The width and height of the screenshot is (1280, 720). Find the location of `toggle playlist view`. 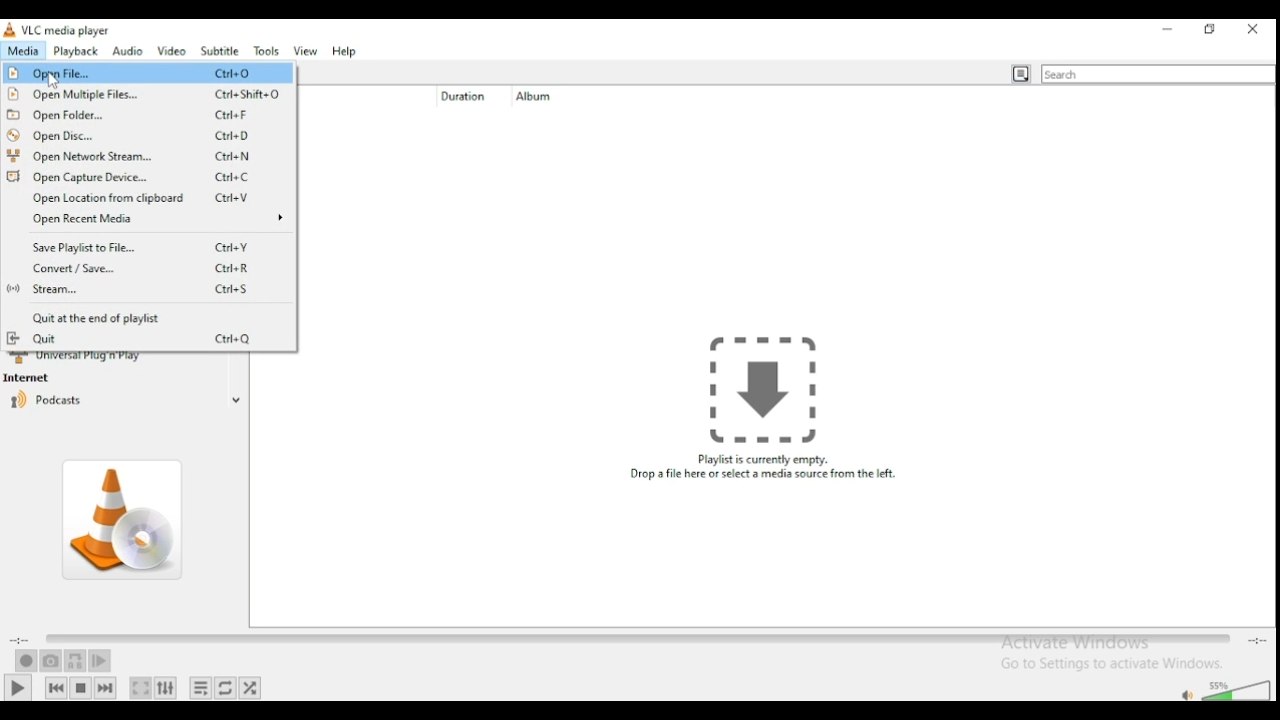

toggle playlist view is located at coordinates (1019, 73).